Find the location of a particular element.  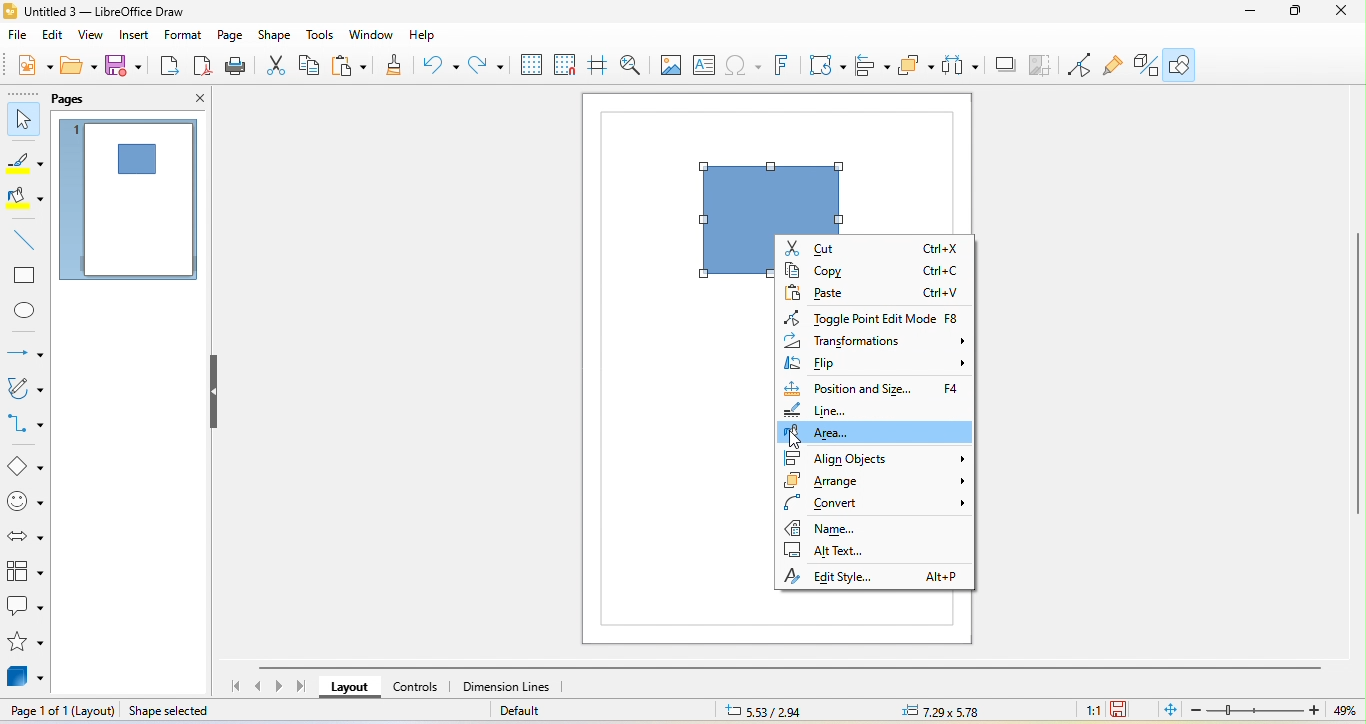

zoom and pan is located at coordinates (635, 65).